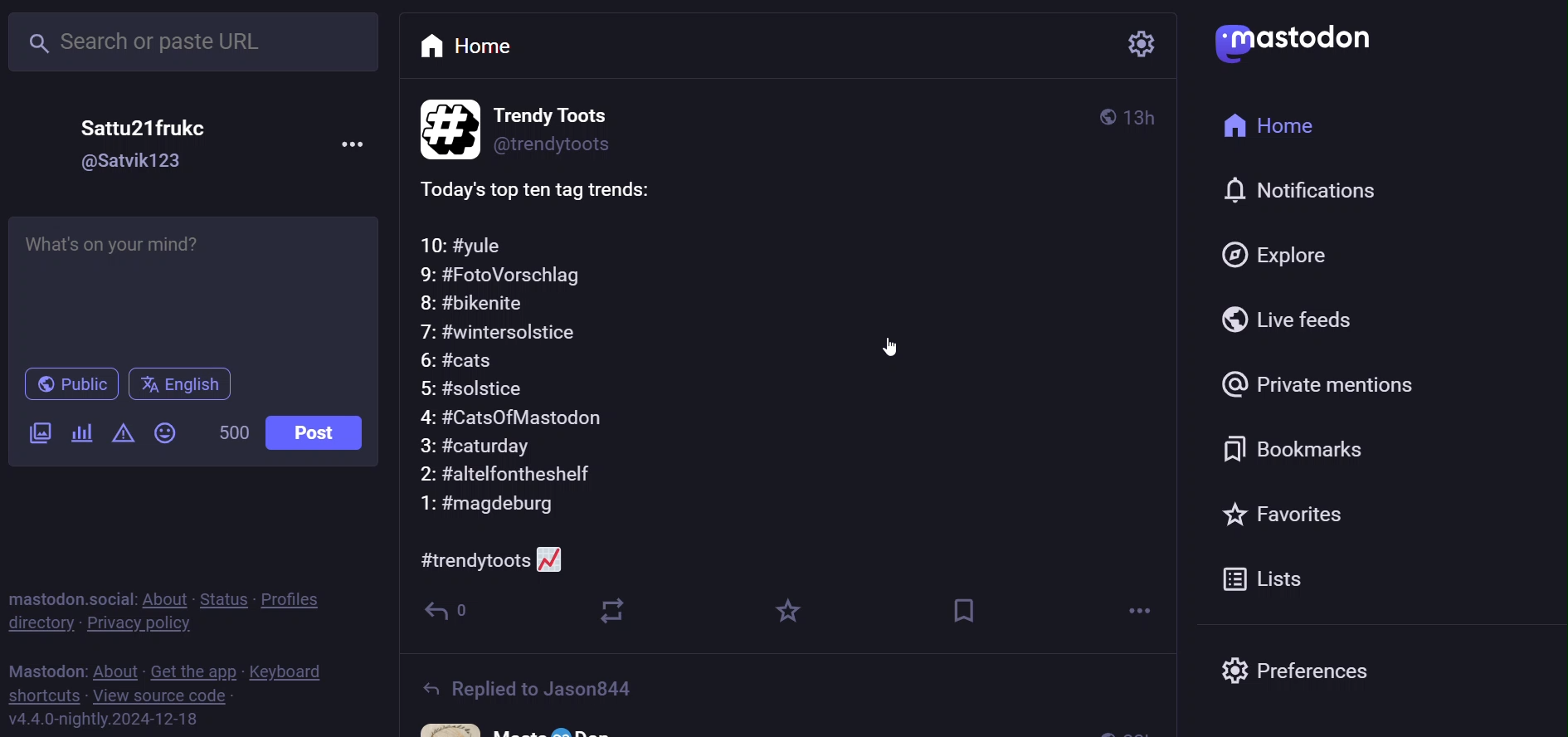 The width and height of the screenshot is (1568, 737). Describe the element at coordinates (289, 670) in the screenshot. I see `keyboard` at that location.